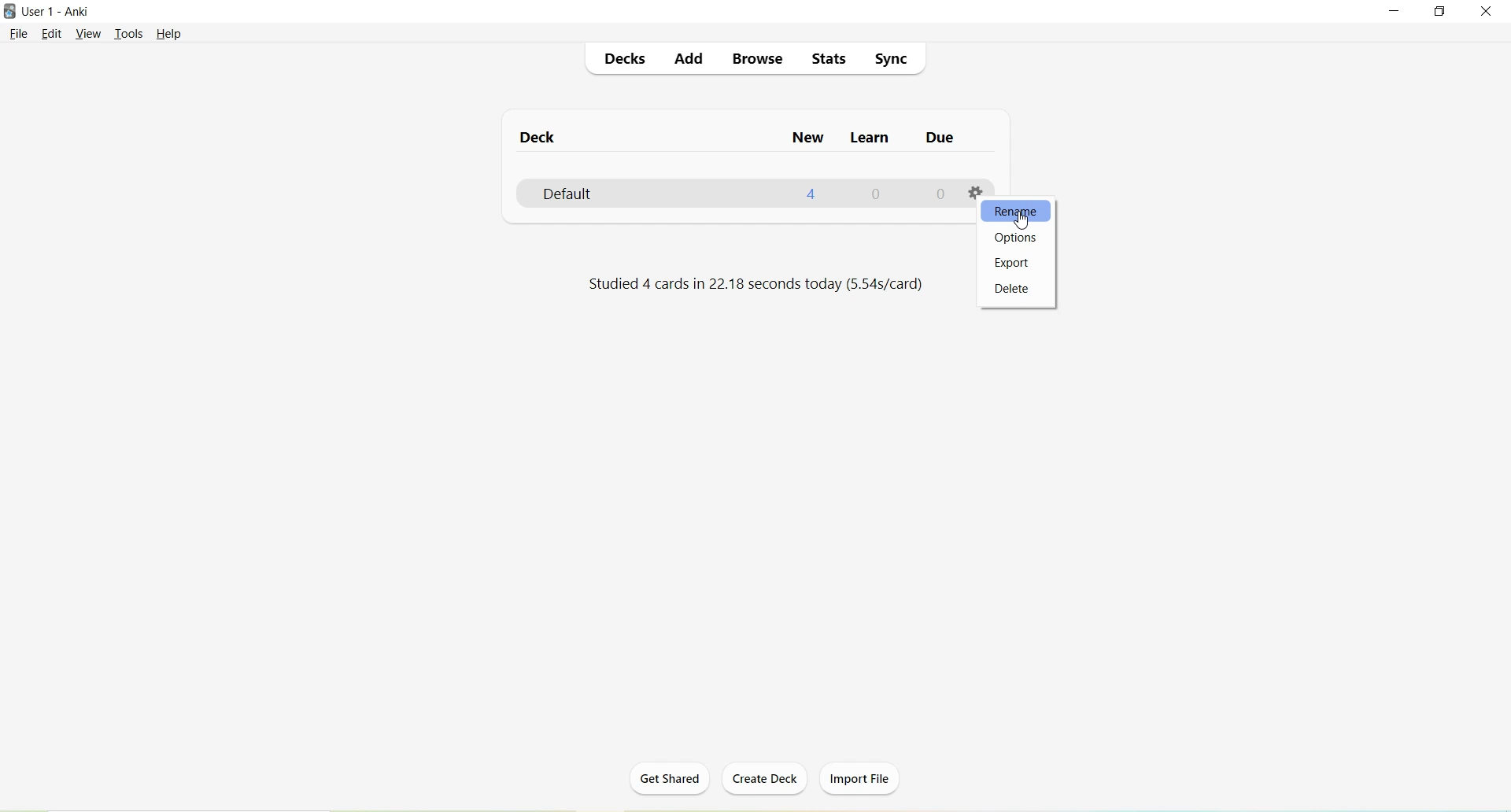 This screenshot has width=1511, height=812. I want to click on Rename, so click(1016, 211).